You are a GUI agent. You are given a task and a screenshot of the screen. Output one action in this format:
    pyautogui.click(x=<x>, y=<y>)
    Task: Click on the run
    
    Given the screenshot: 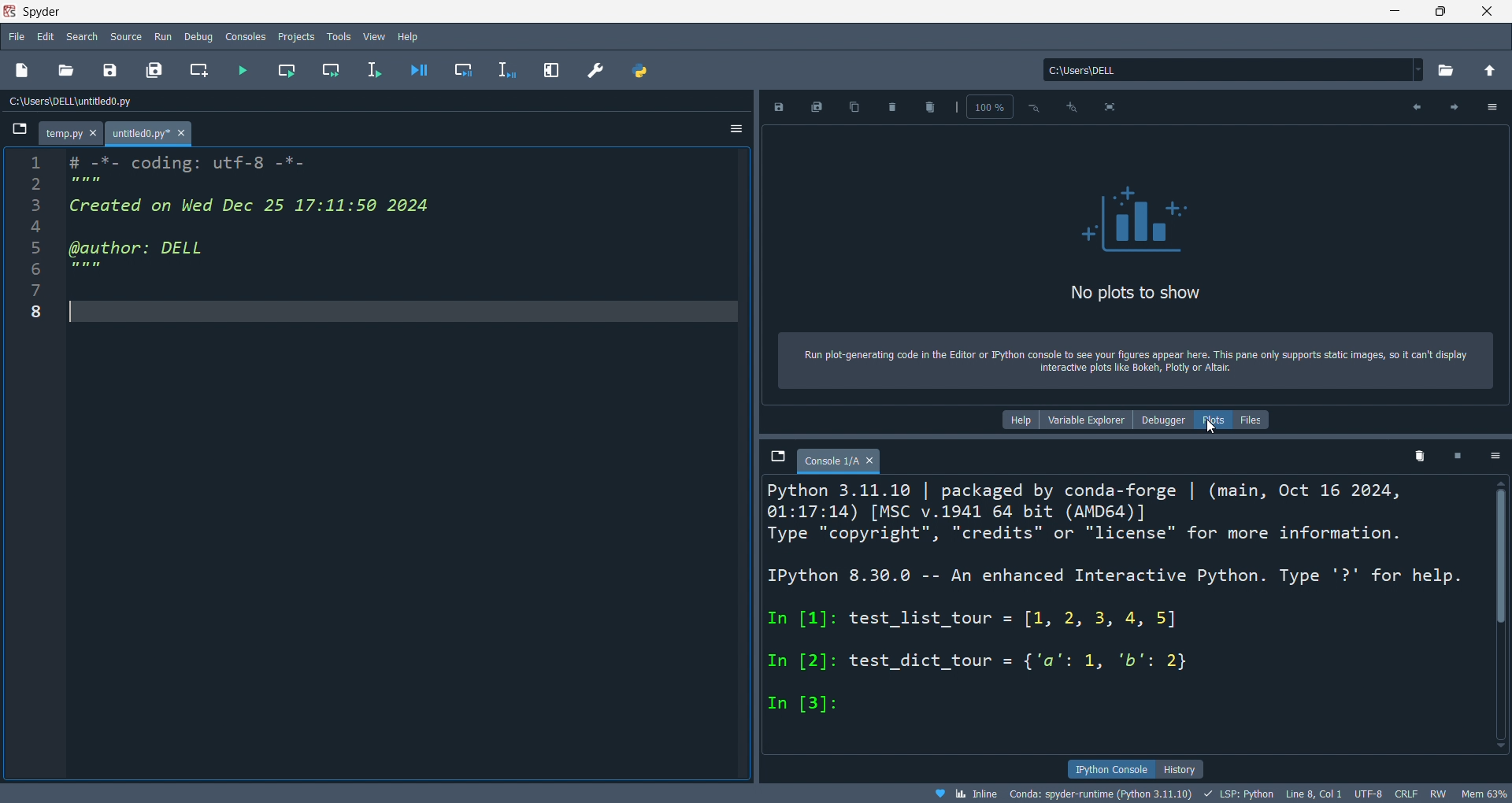 What is the action you would take?
    pyautogui.click(x=159, y=35)
    